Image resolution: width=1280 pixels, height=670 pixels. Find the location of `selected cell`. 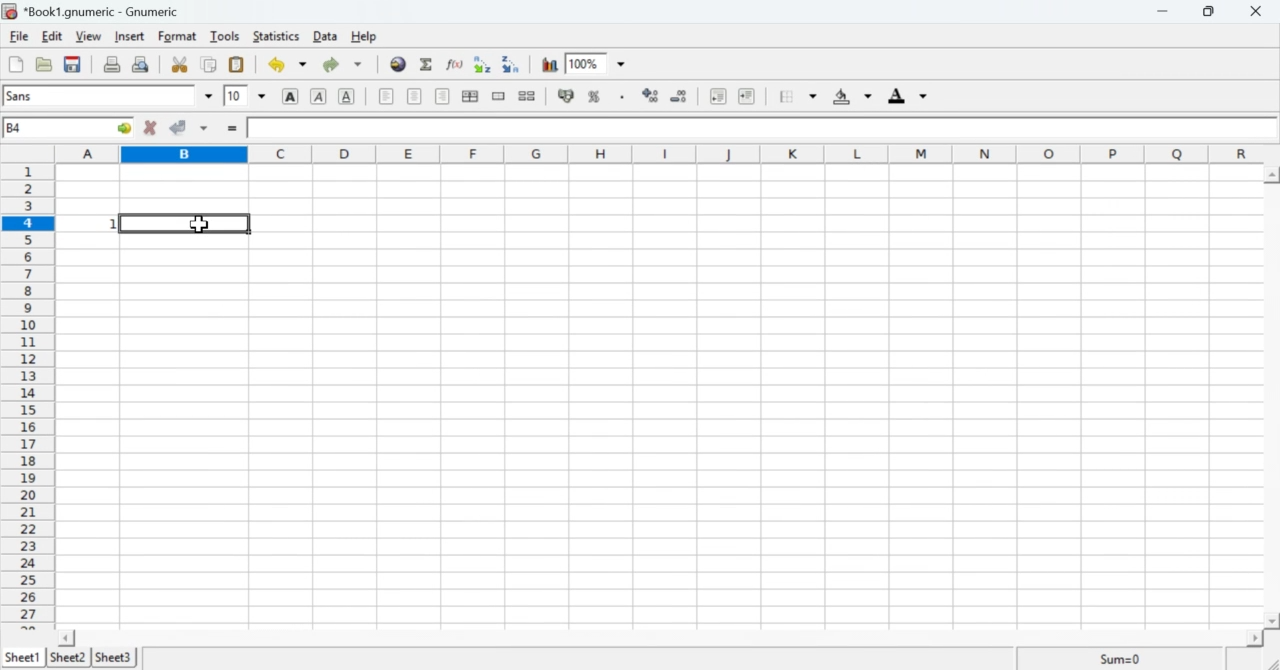

selected cell is located at coordinates (186, 223).